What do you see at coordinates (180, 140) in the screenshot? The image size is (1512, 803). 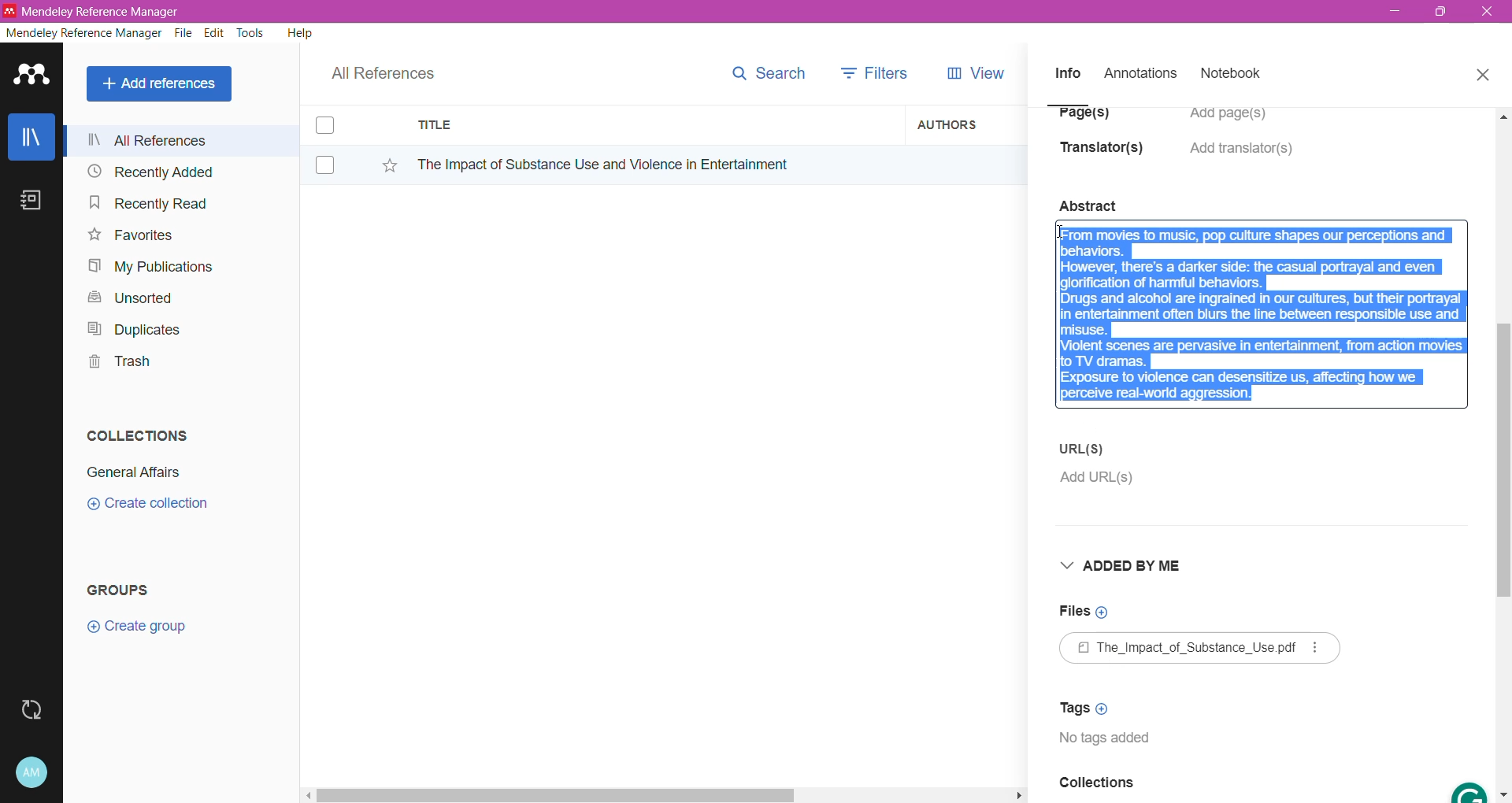 I see `All References` at bounding box center [180, 140].